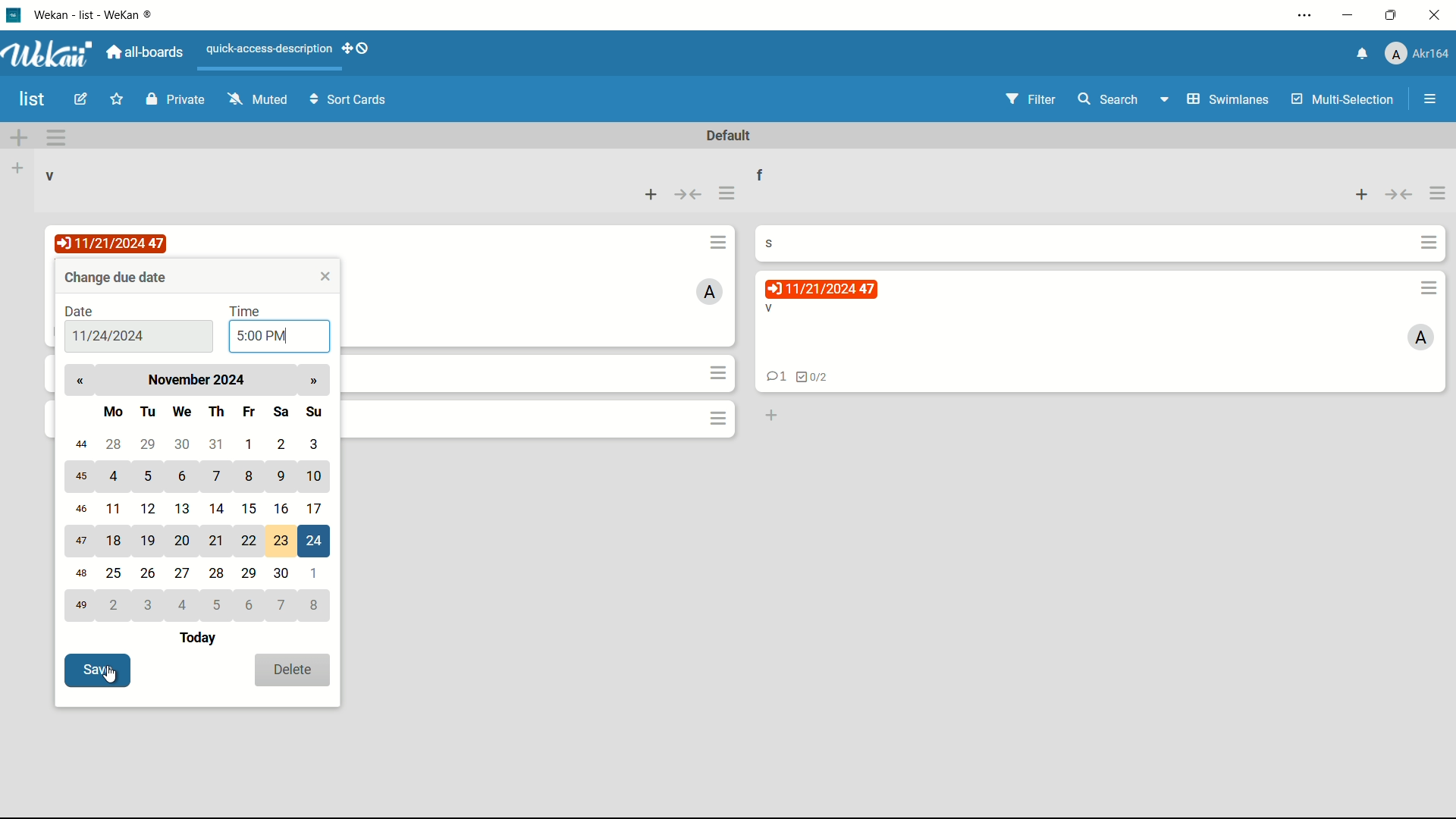 The height and width of the screenshot is (819, 1456). I want to click on 28, so click(220, 573).